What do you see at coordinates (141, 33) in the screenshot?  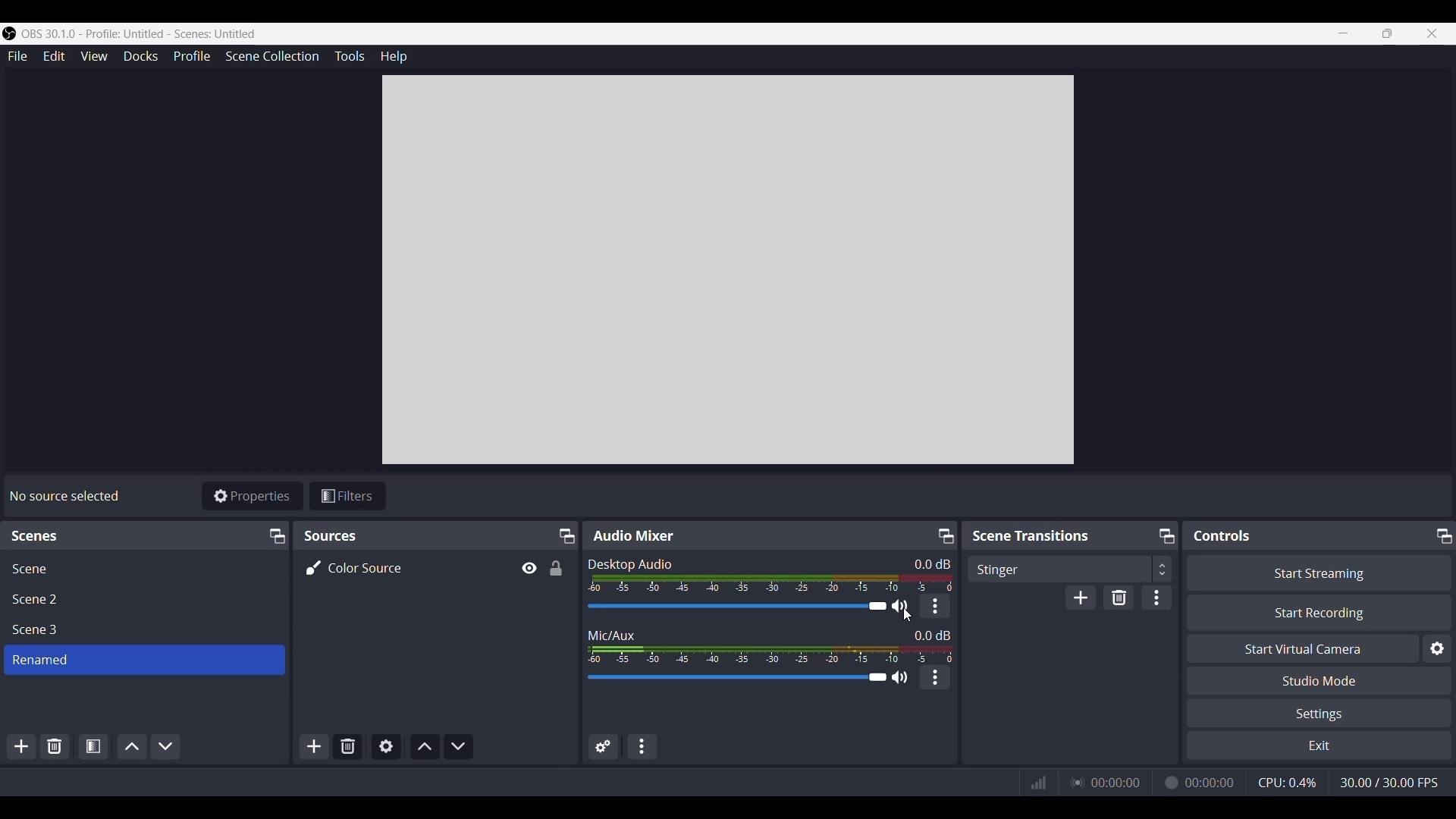 I see `Project name and software version` at bounding box center [141, 33].